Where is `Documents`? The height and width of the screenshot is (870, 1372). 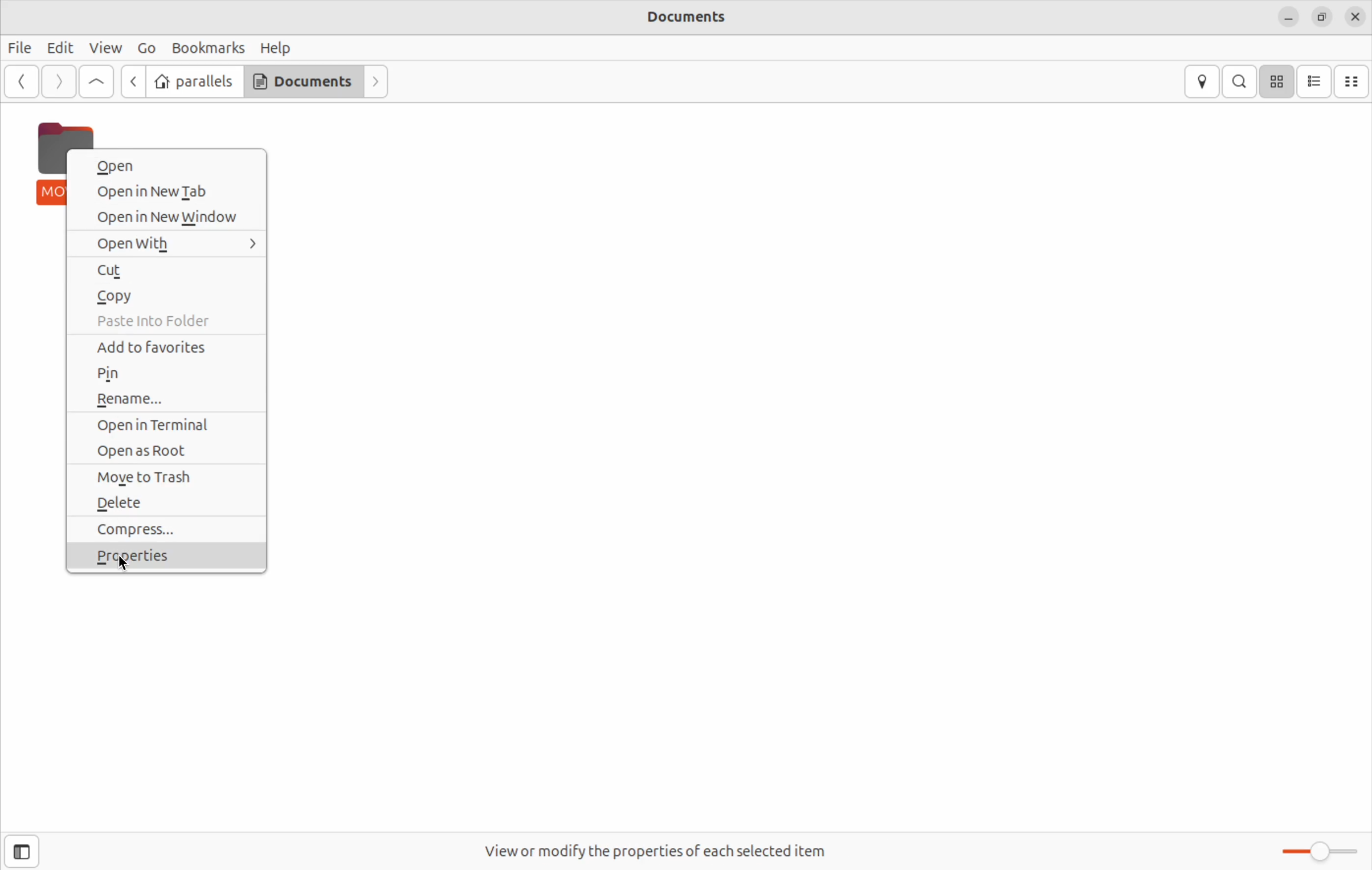 Documents is located at coordinates (1353, 80).